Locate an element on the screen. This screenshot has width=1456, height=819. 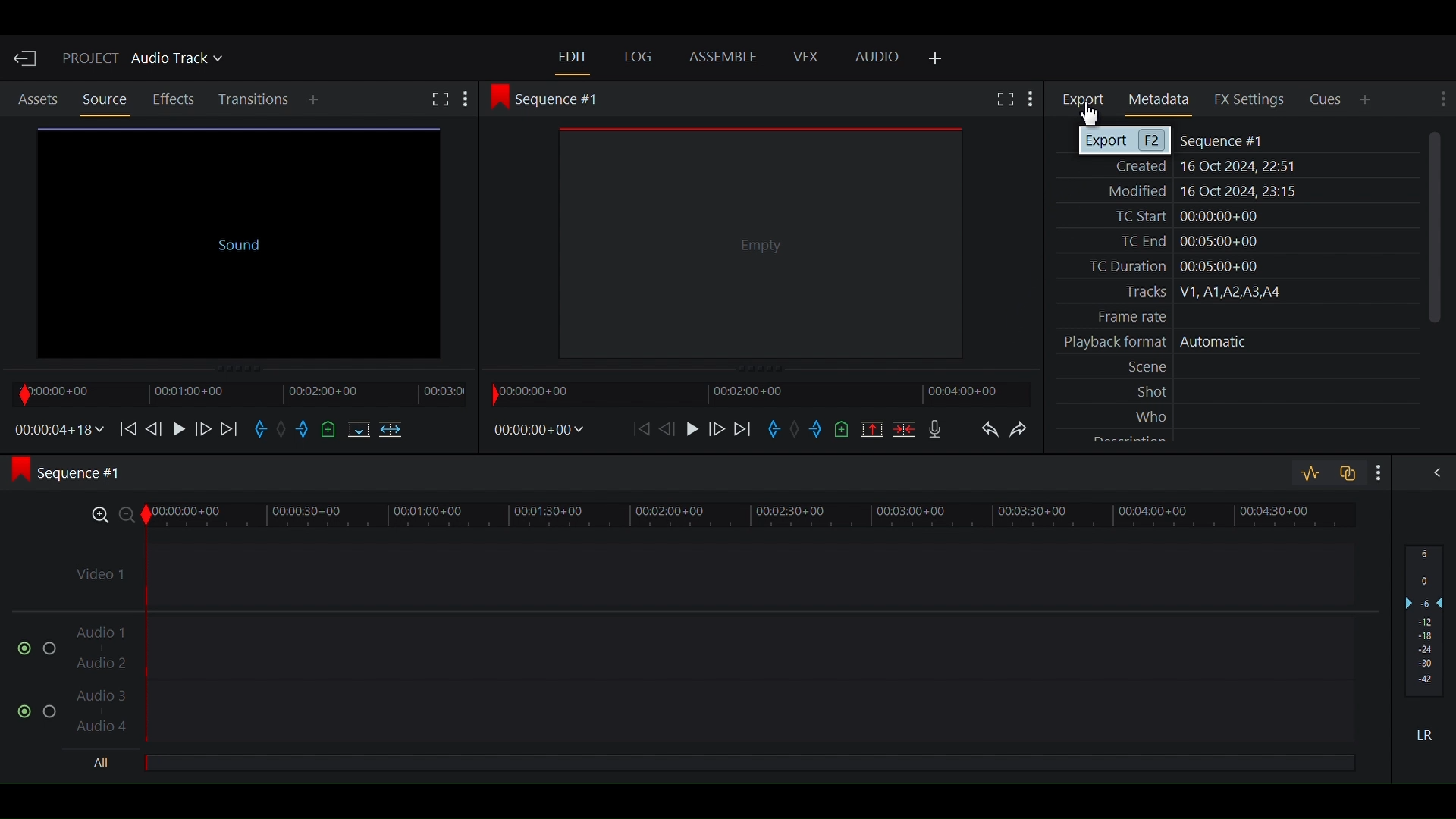
Undo is located at coordinates (989, 432).